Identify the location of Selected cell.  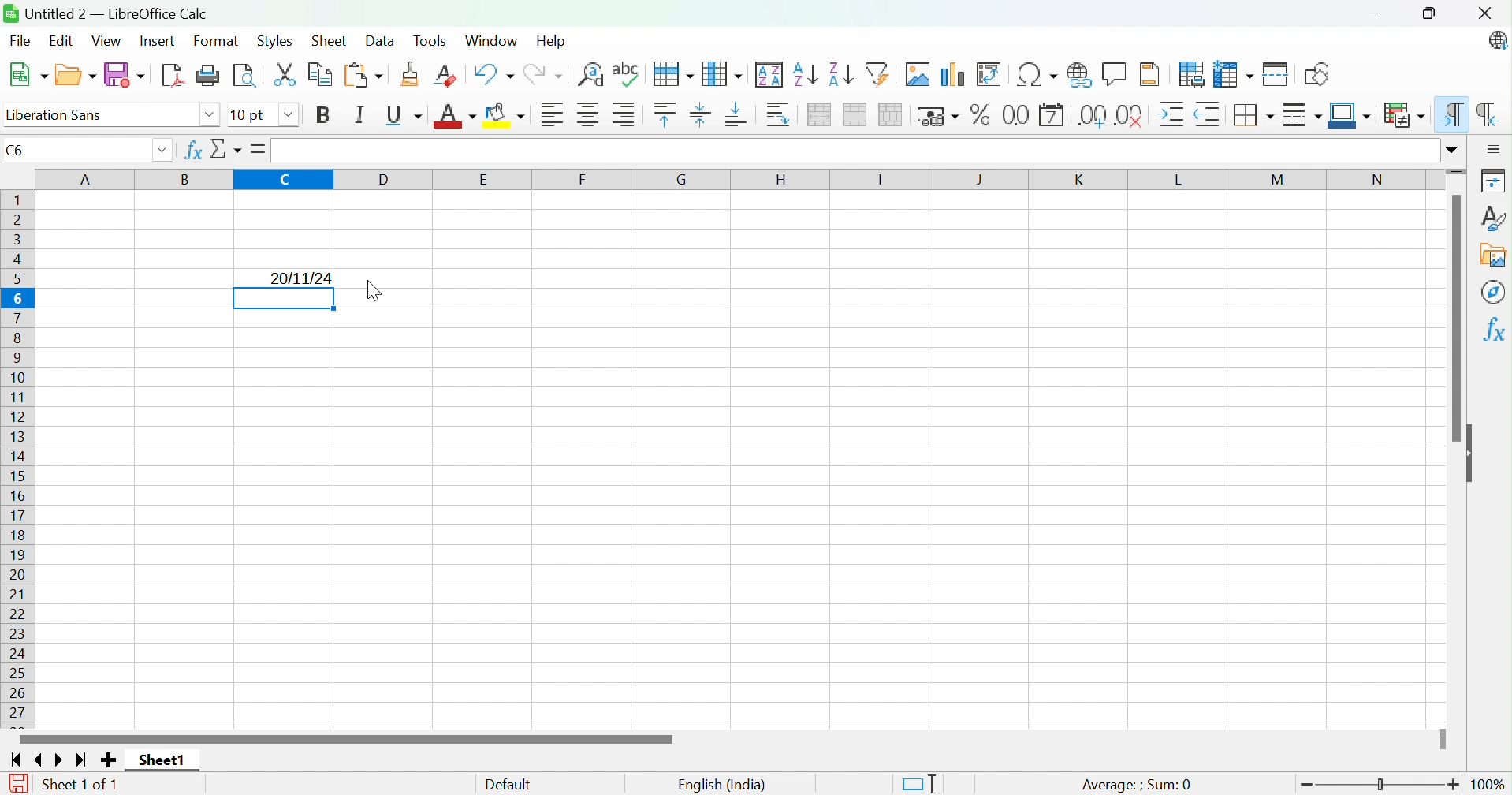
(285, 299).